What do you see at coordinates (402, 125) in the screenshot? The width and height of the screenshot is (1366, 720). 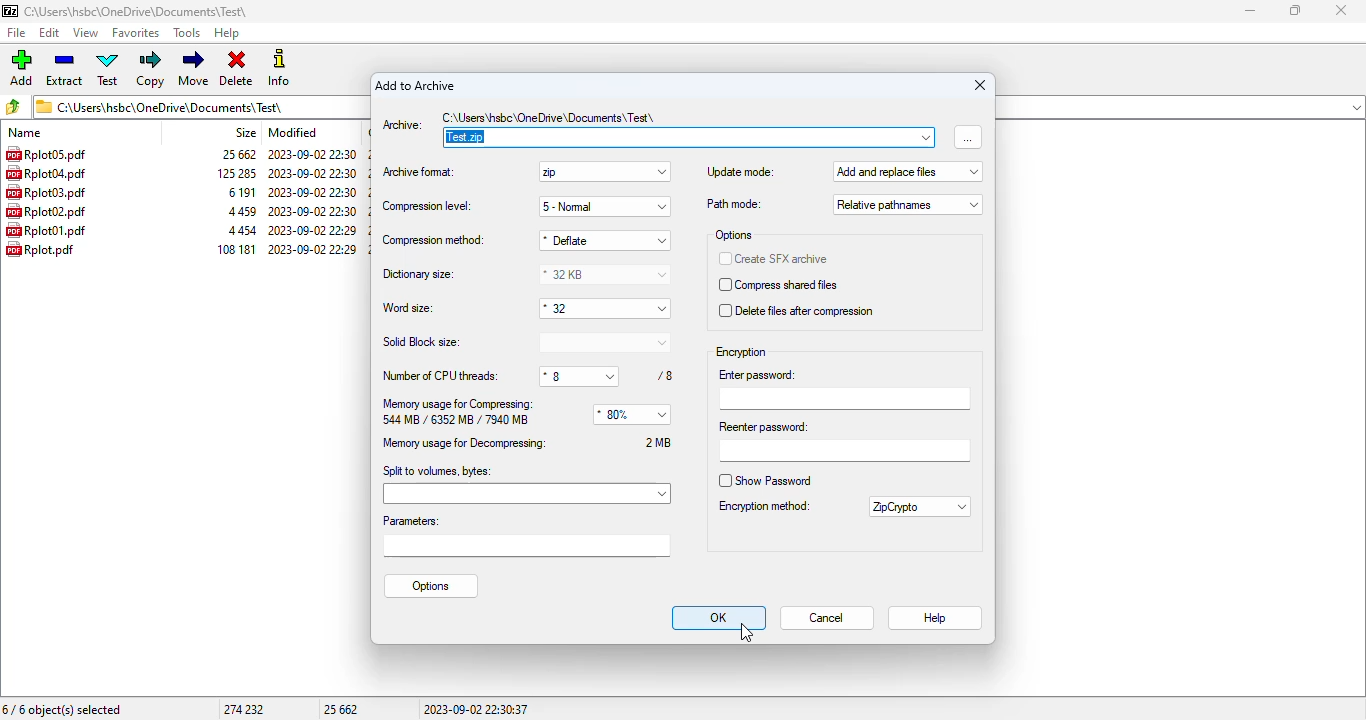 I see `archive: ` at bounding box center [402, 125].